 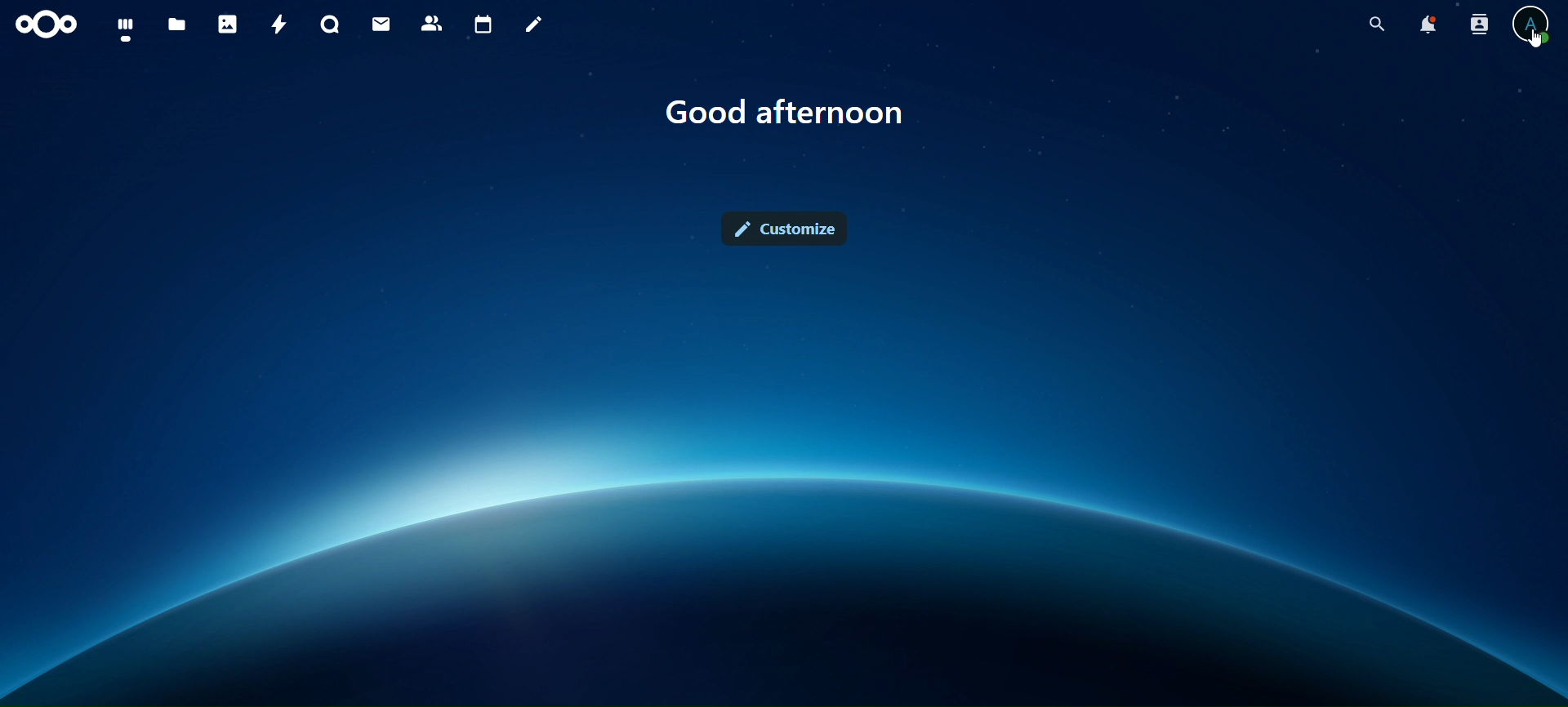 I want to click on calendar, so click(x=481, y=23).